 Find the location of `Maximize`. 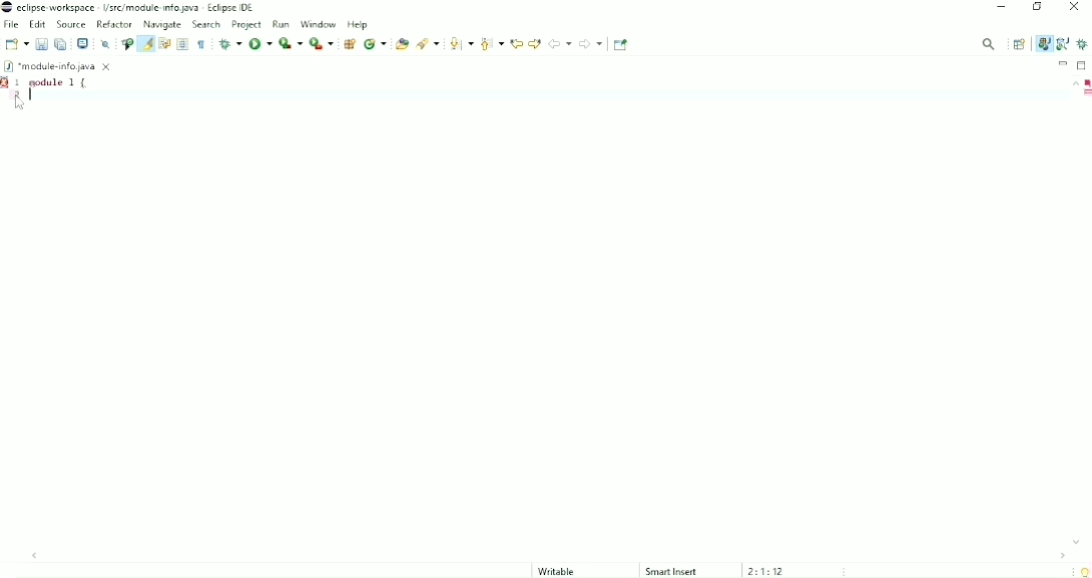

Maximize is located at coordinates (1083, 64).